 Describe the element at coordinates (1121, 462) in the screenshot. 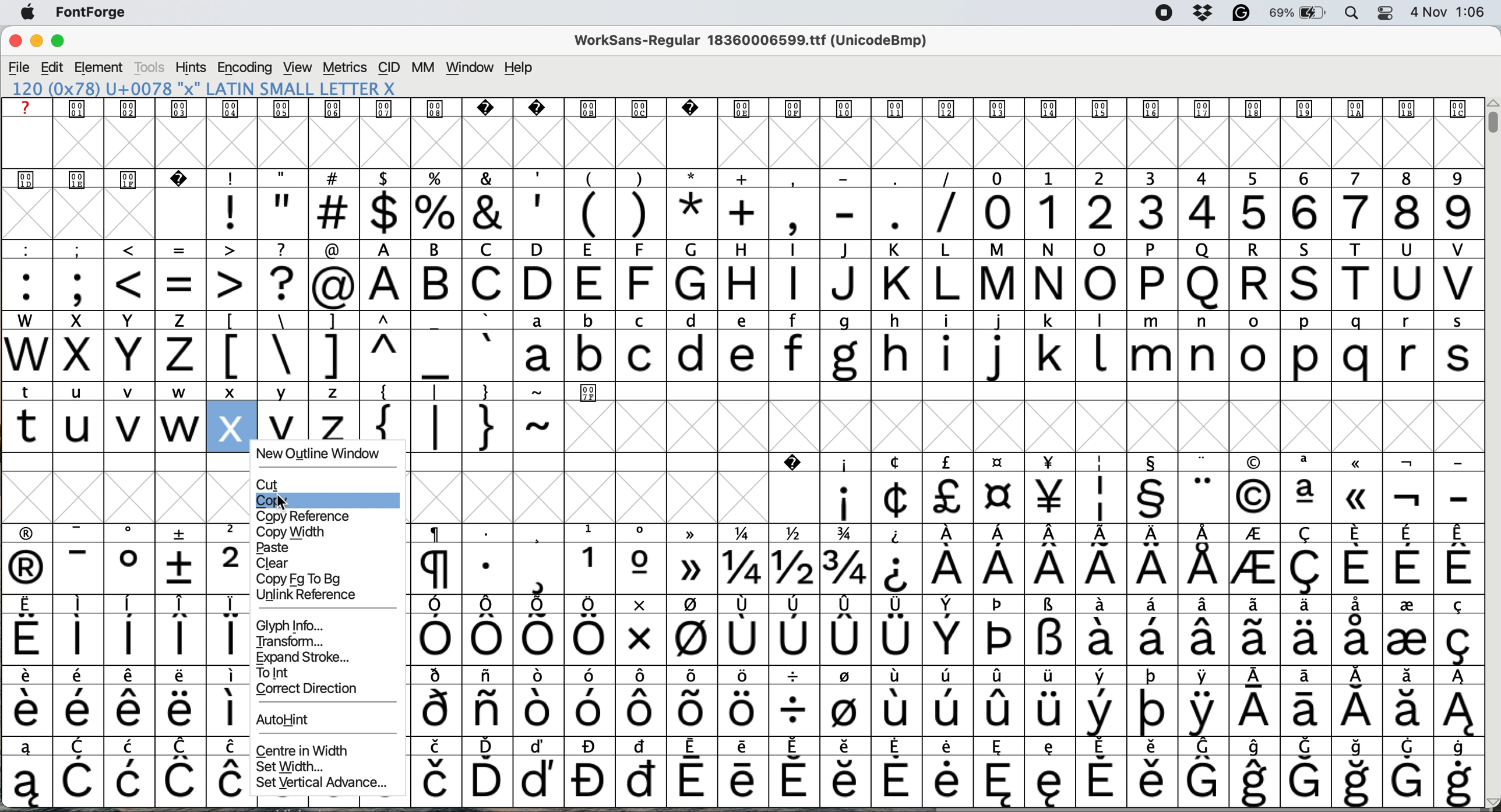

I see `special characters` at that location.